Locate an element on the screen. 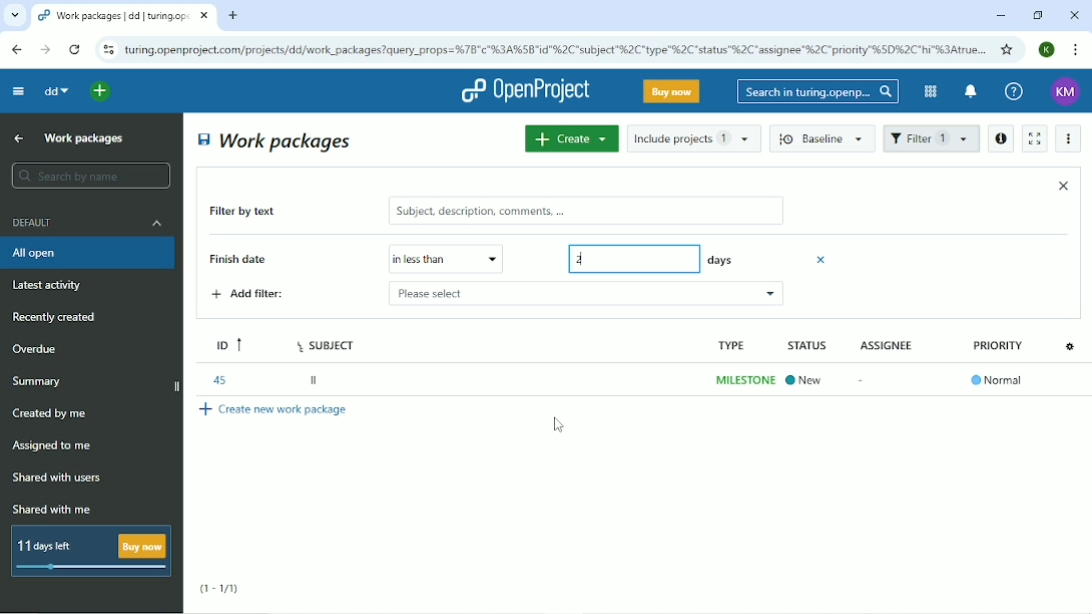  Summary is located at coordinates (40, 381).